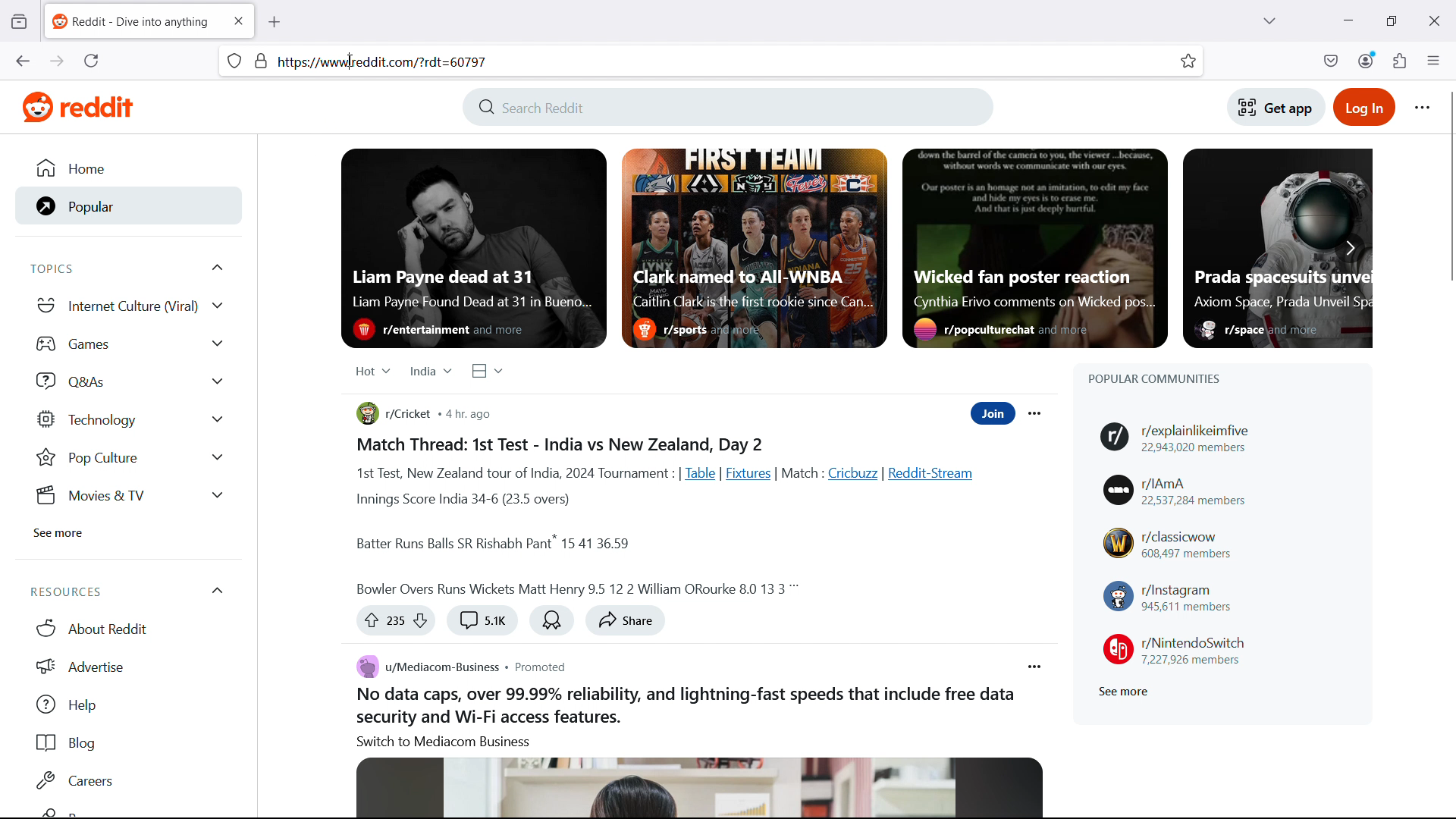  Describe the element at coordinates (126, 628) in the screenshot. I see `About Reddit` at that location.